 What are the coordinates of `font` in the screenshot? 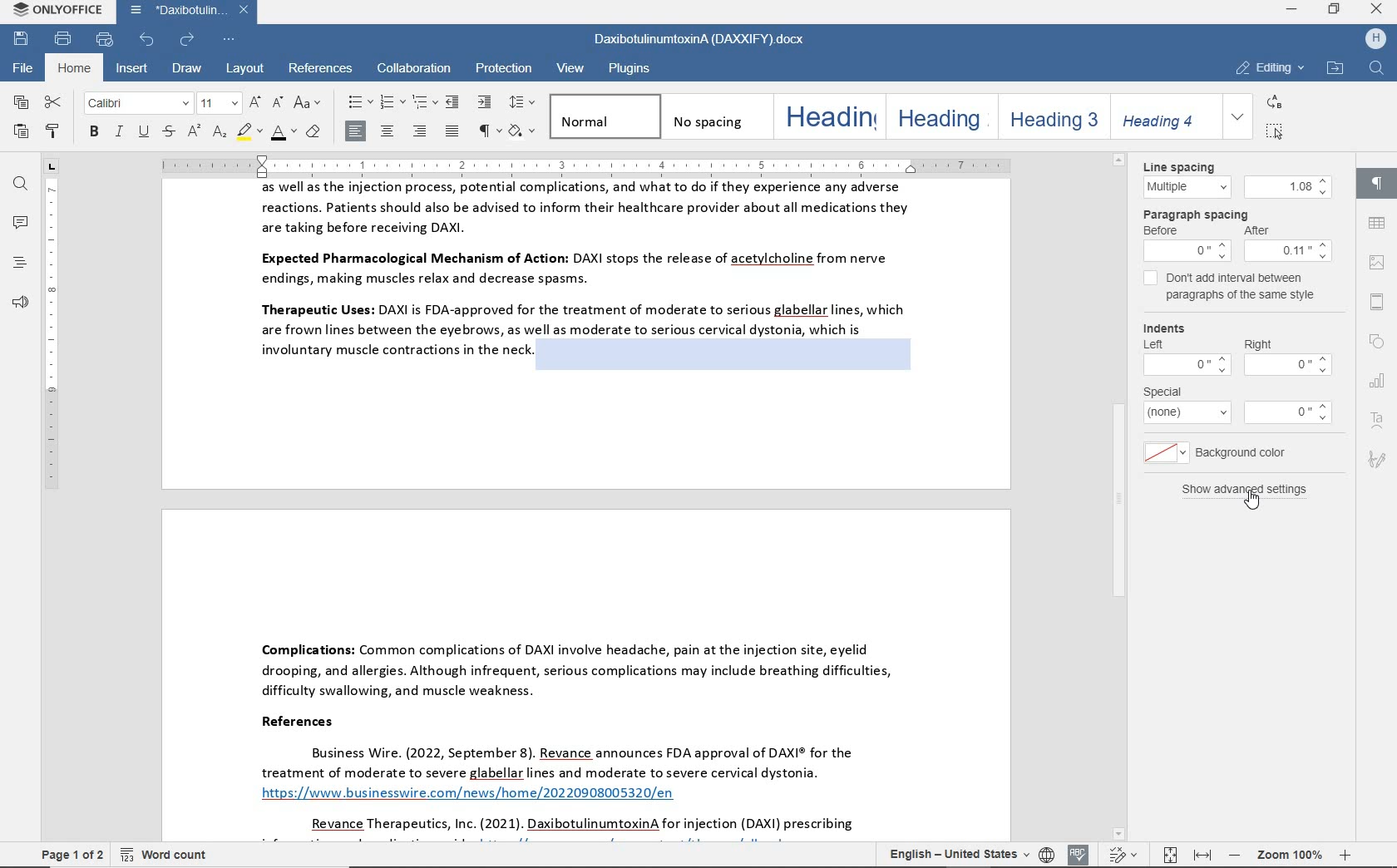 It's located at (136, 104).